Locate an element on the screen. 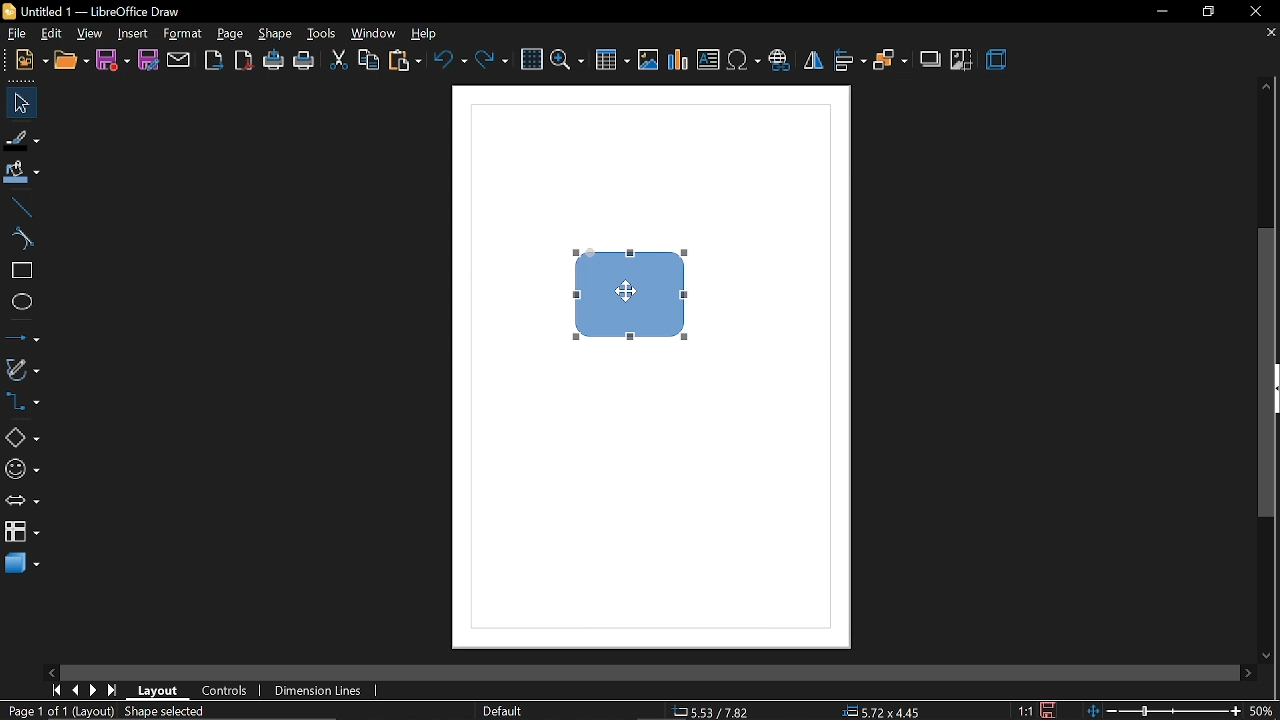  scaling factor is located at coordinates (1022, 710).